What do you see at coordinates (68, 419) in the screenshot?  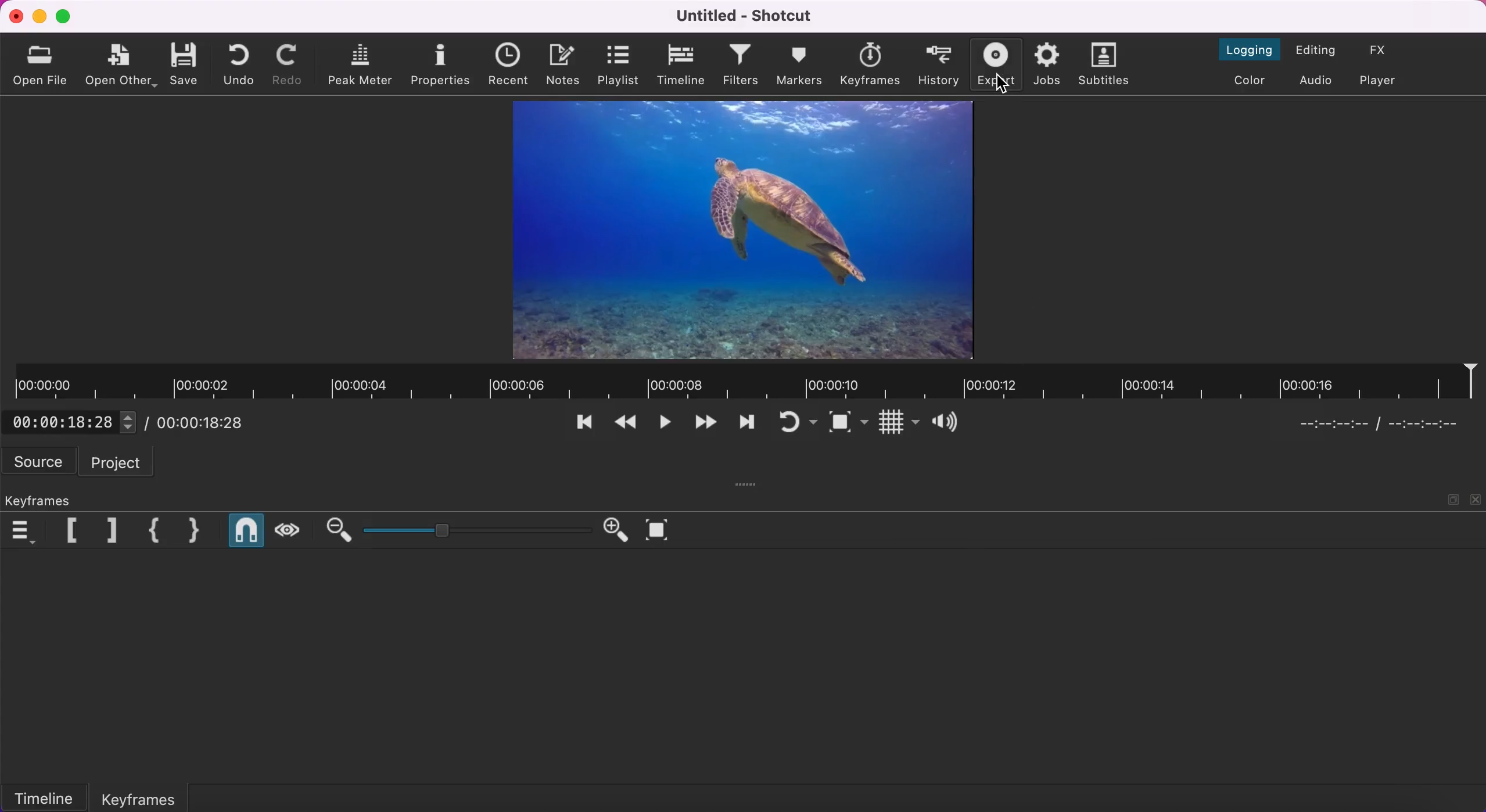 I see `00:00:18:28` at bounding box center [68, 419].